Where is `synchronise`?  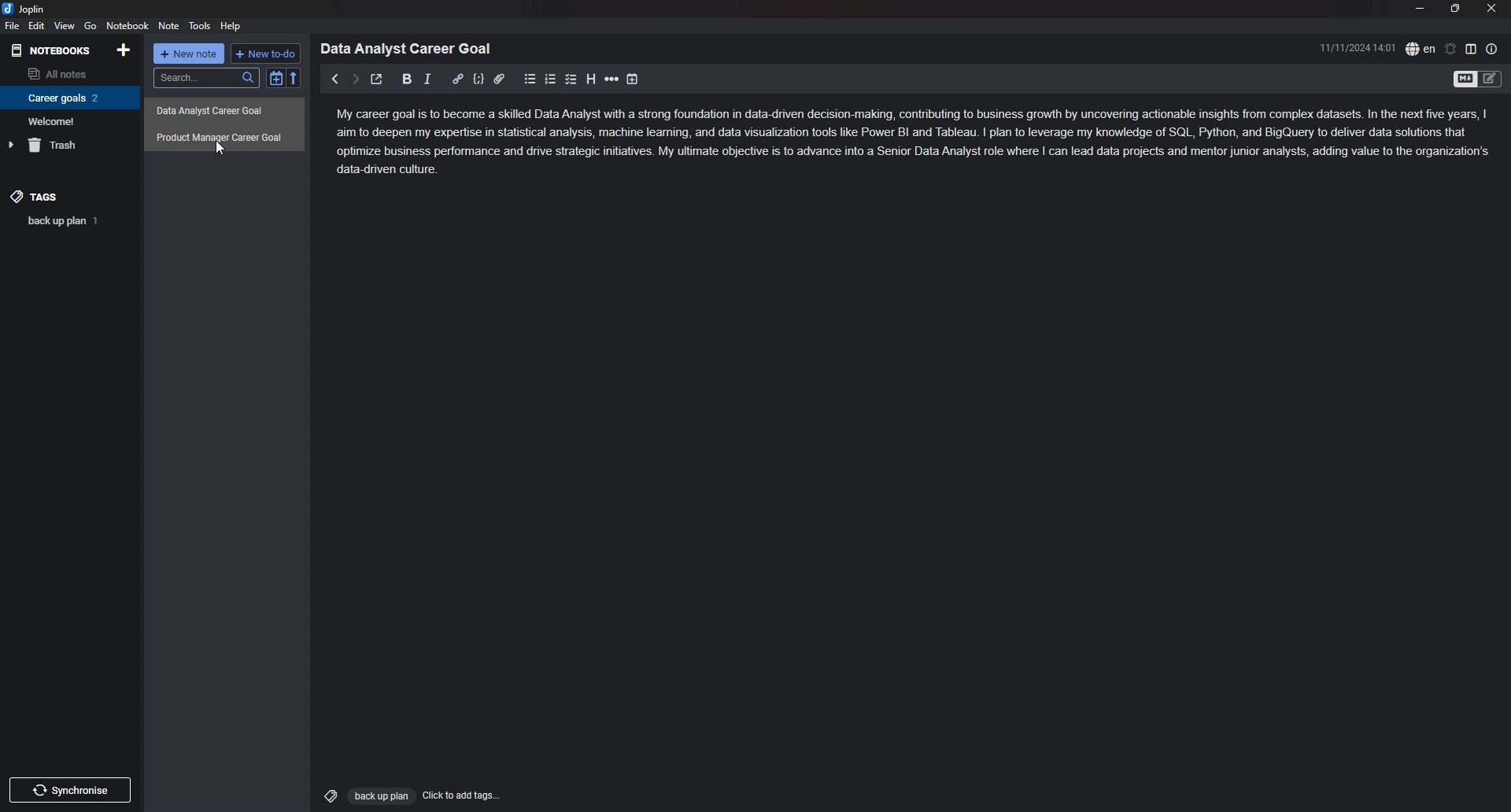 synchronise is located at coordinates (68, 789).